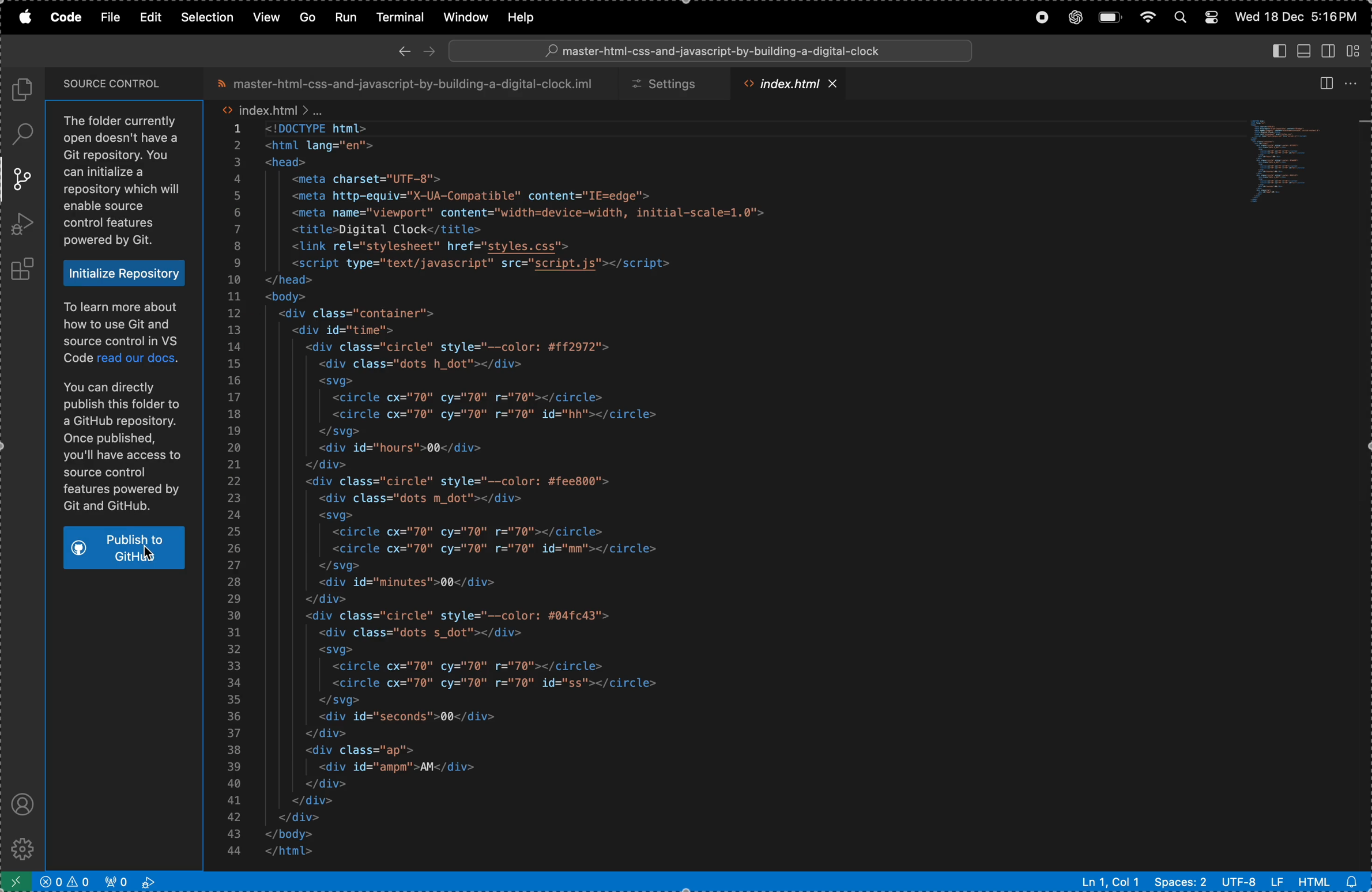  Describe the element at coordinates (470, 667) in the screenshot. I see `<circle cx="70" cy="70" r="70"></circle>` at that location.